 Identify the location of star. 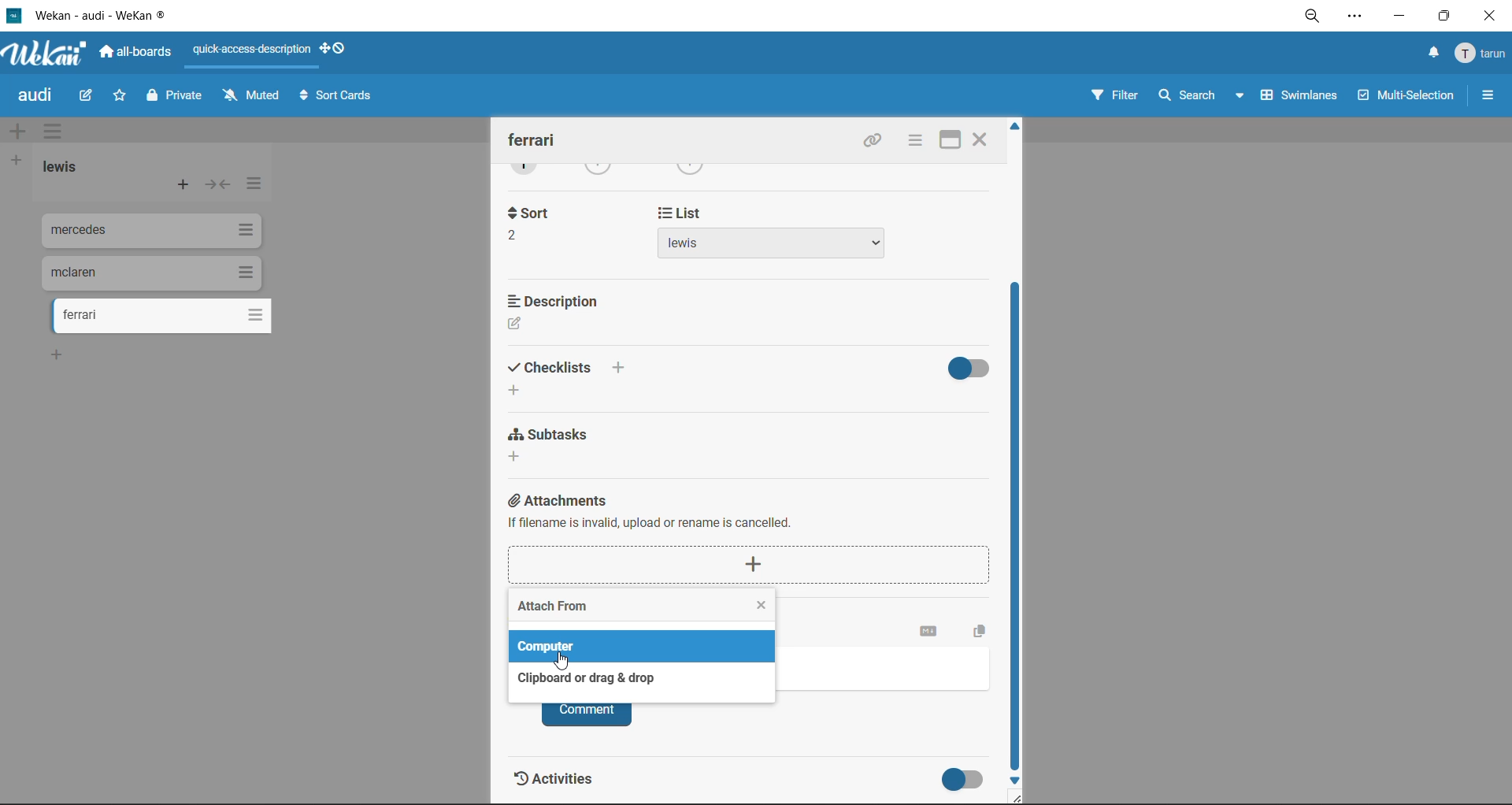
(119, 96).